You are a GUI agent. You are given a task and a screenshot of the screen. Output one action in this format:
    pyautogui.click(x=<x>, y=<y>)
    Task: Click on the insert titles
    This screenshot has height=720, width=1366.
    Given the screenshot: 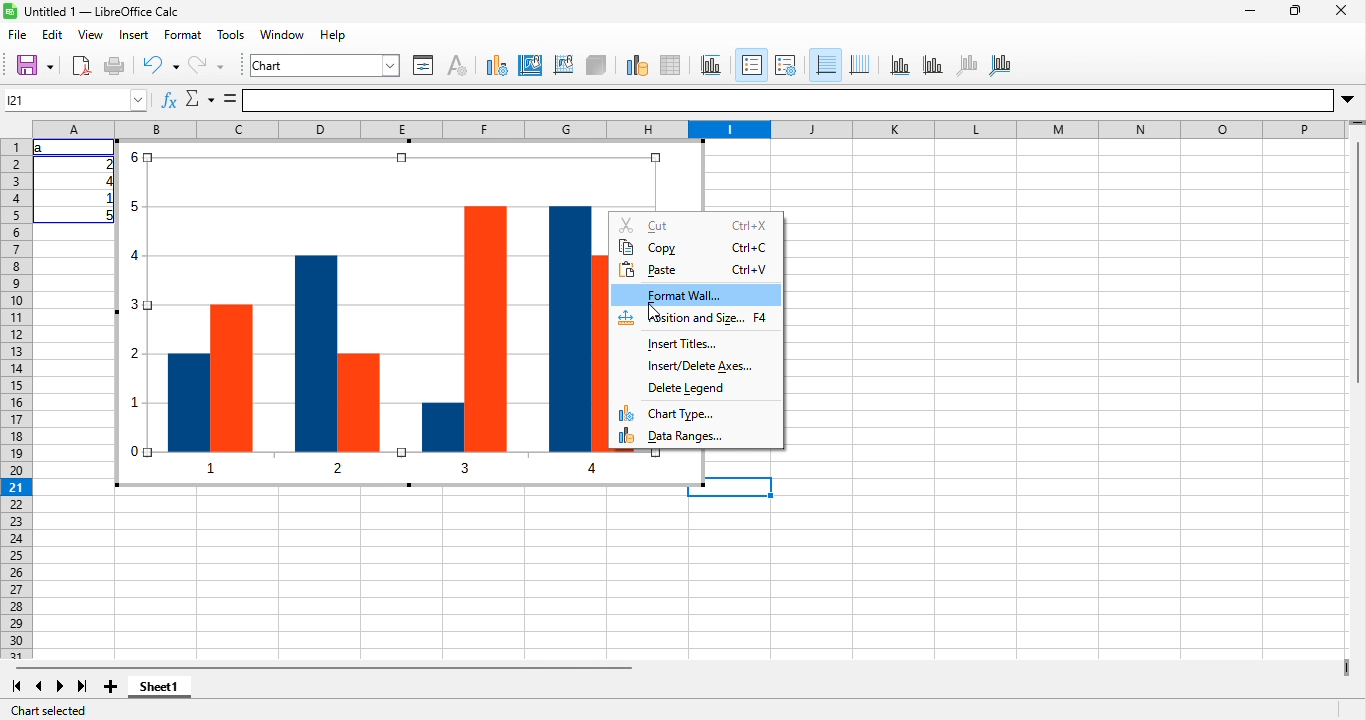 What is the action you would take?
    pyautogui.click(x=696, y=344)
    